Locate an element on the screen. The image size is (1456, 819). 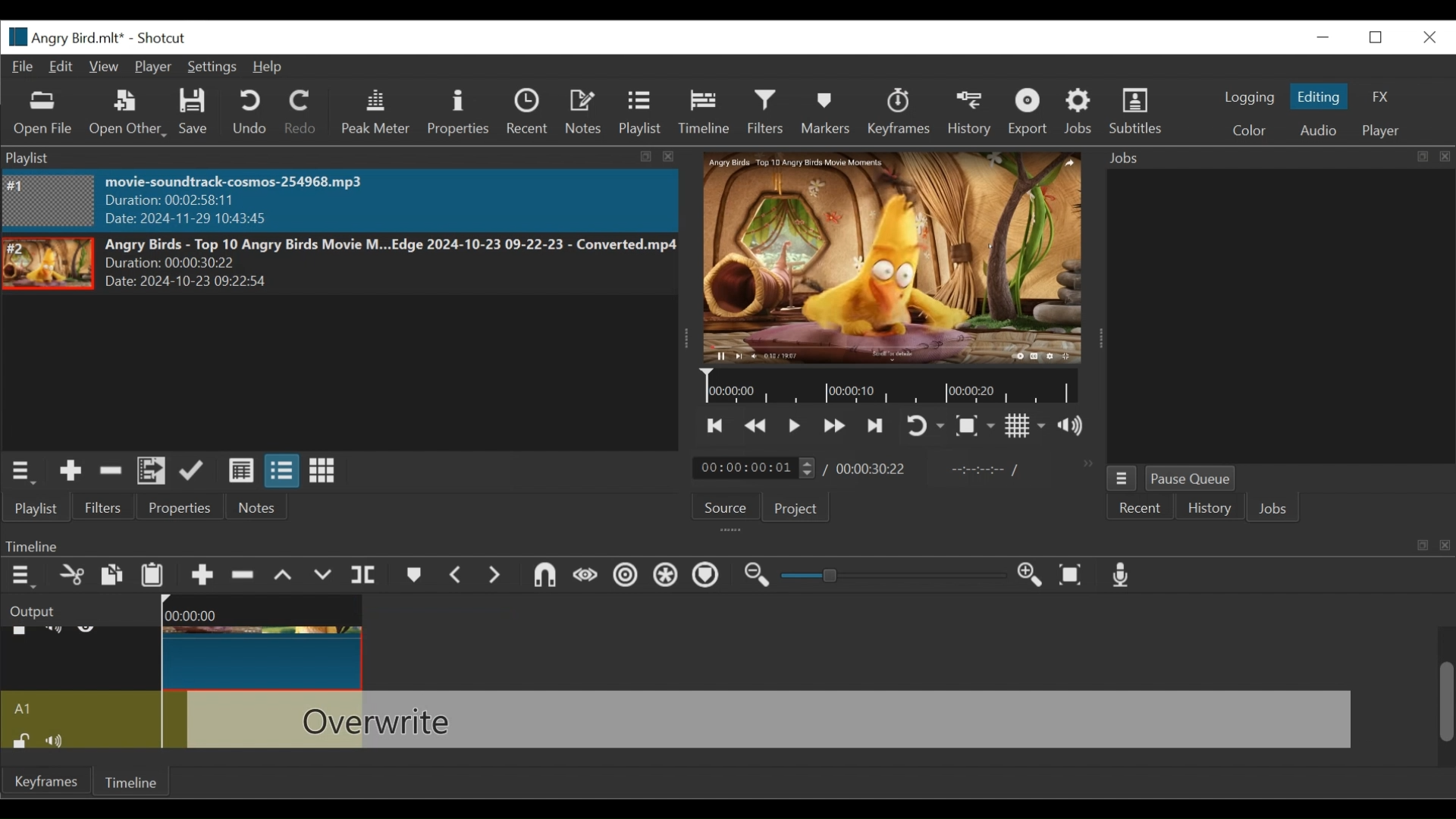
Overwrite is located at coordinates (324, 576).